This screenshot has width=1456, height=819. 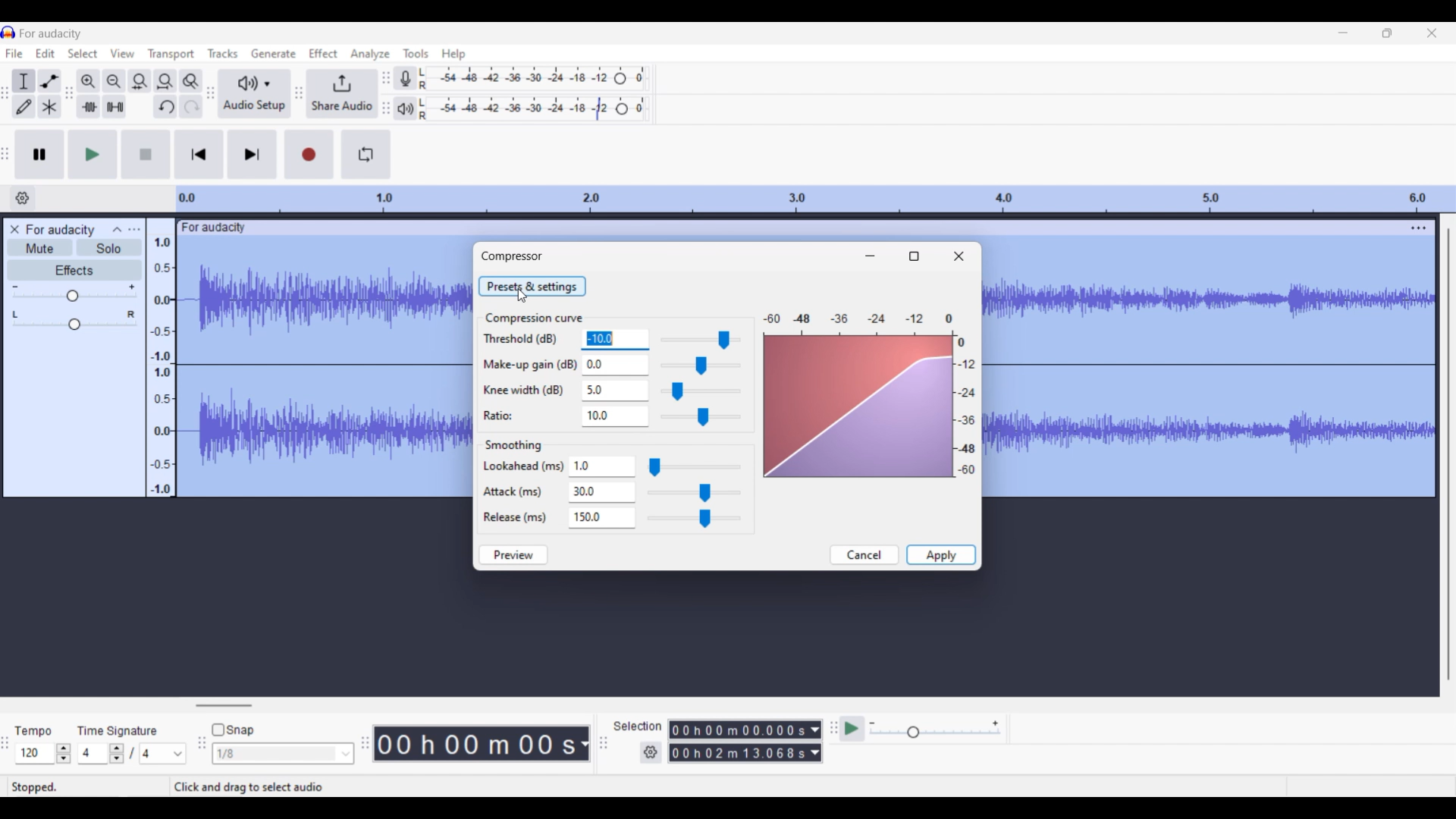 I want to click on Minimize , so click(x=1343, y=33).